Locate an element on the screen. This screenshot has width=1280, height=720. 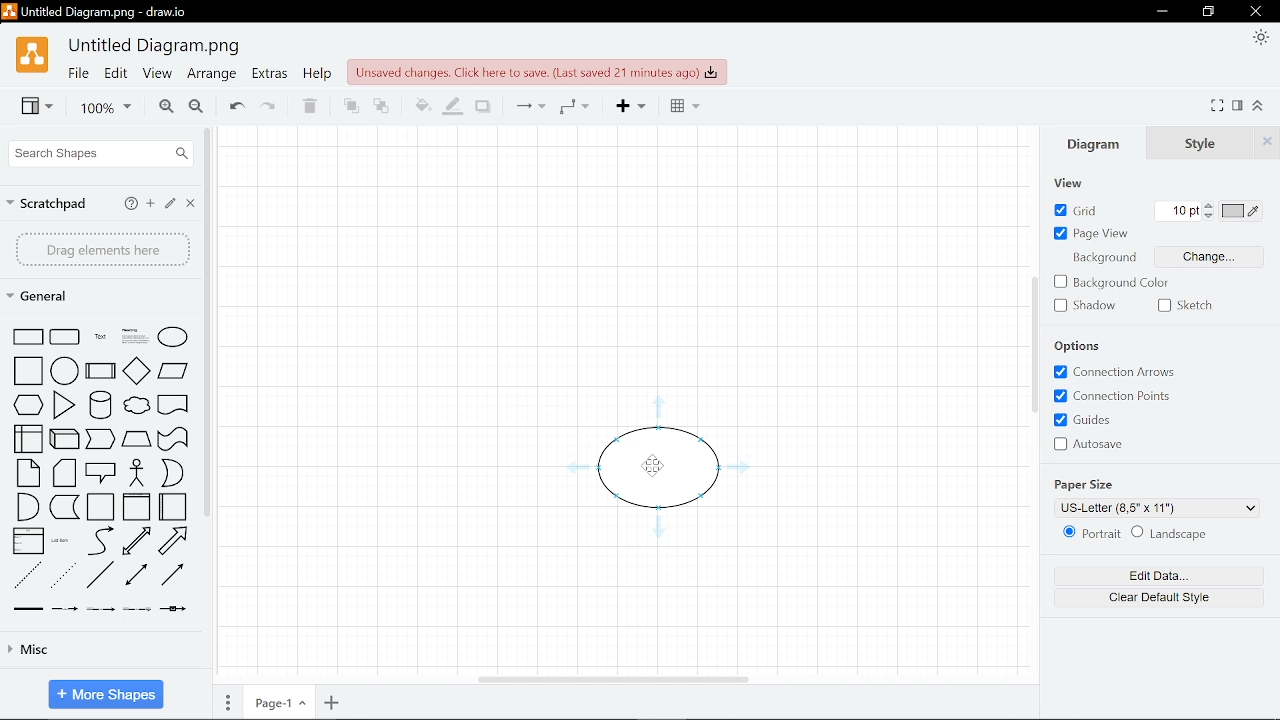
Misc shapes is located at coordinates (89, 650).